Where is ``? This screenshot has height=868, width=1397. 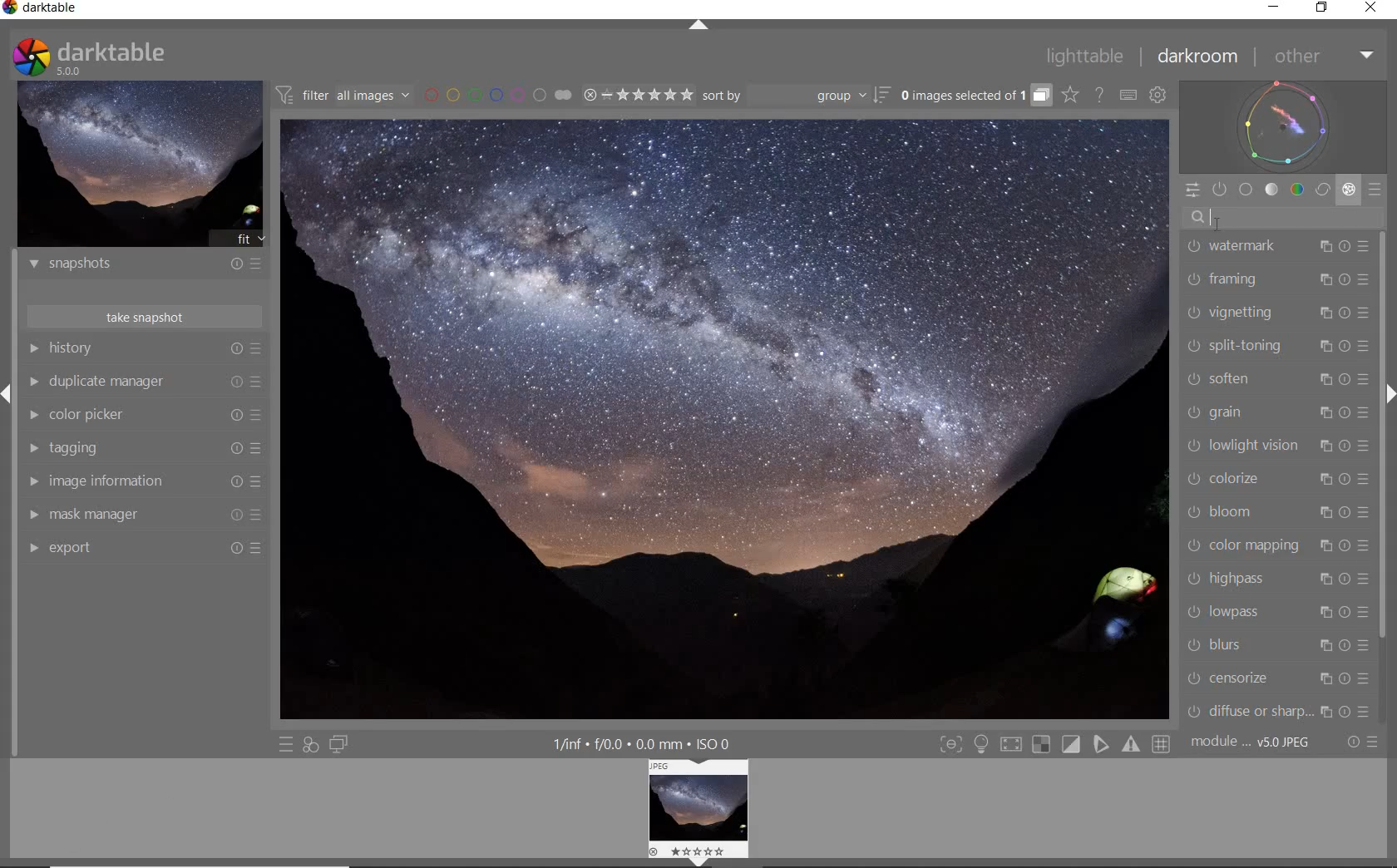
 is located at coordinates (1366, 515).